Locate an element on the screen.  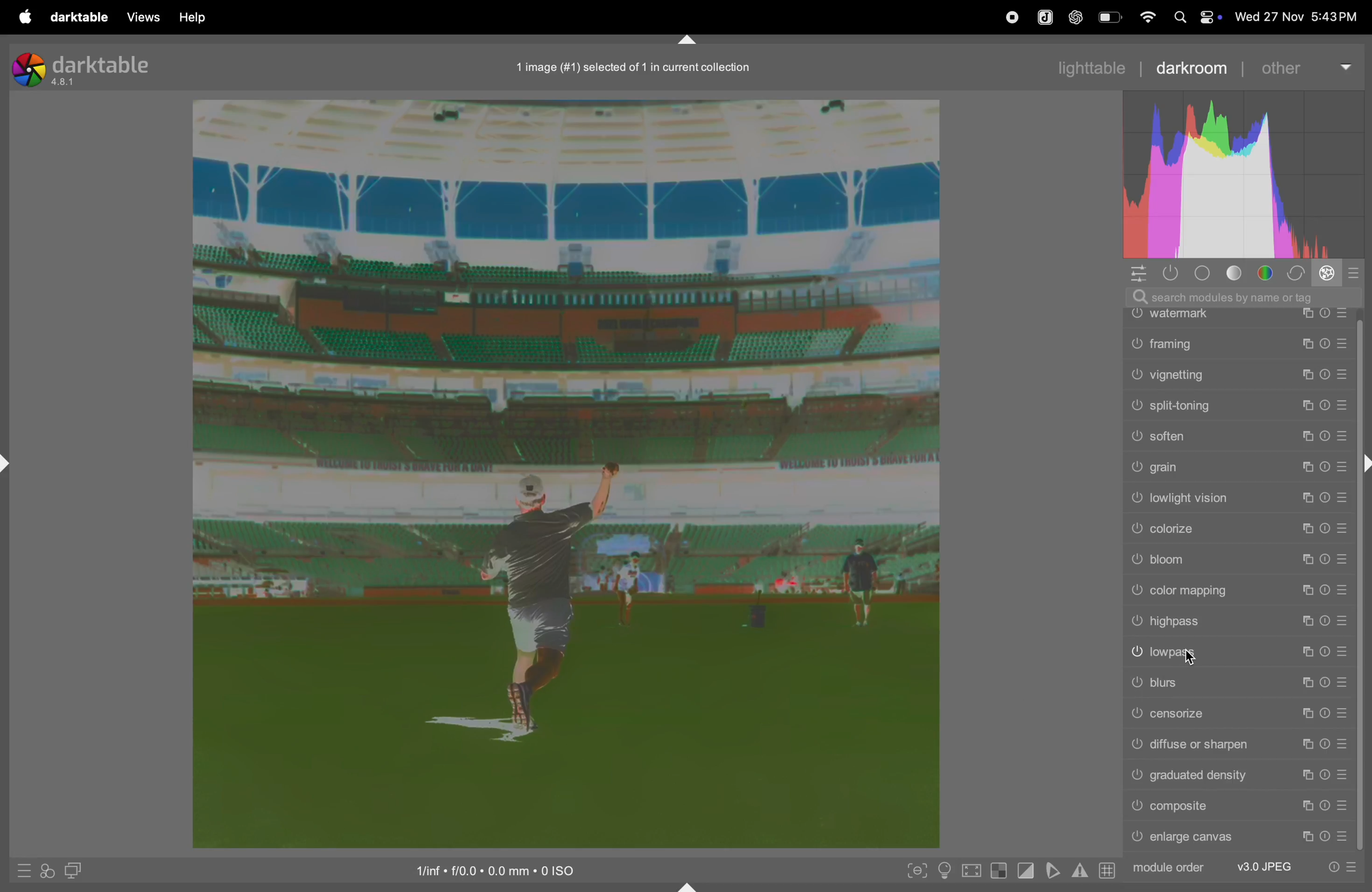
low pass is located at coordinates (1238, 653).